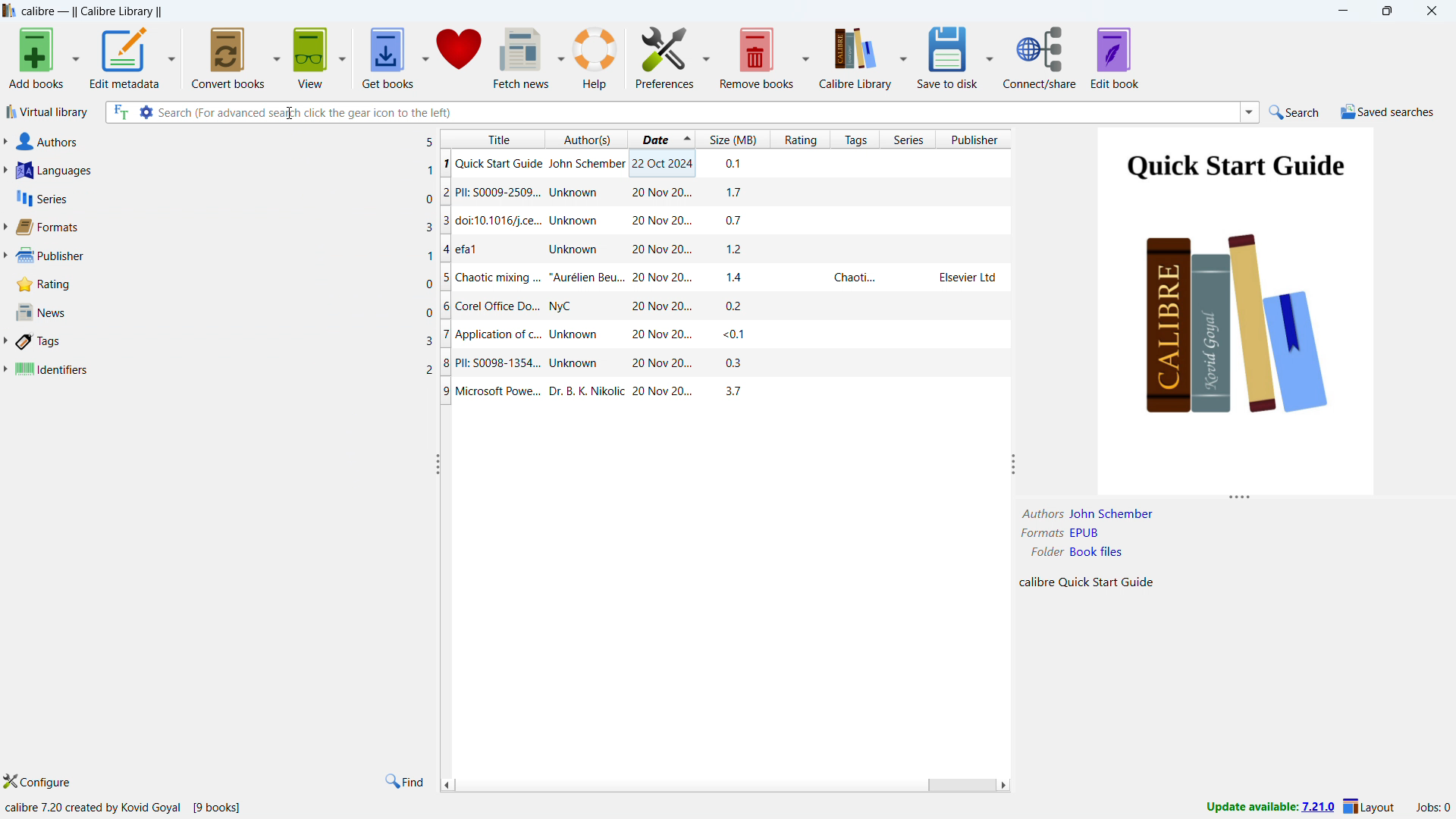 The width and height of the screenshot is (1456, 819). What do you see at coordinates (723, 335) in the screenshot?
I see `Application of c...` at bounding box center [723, 335].